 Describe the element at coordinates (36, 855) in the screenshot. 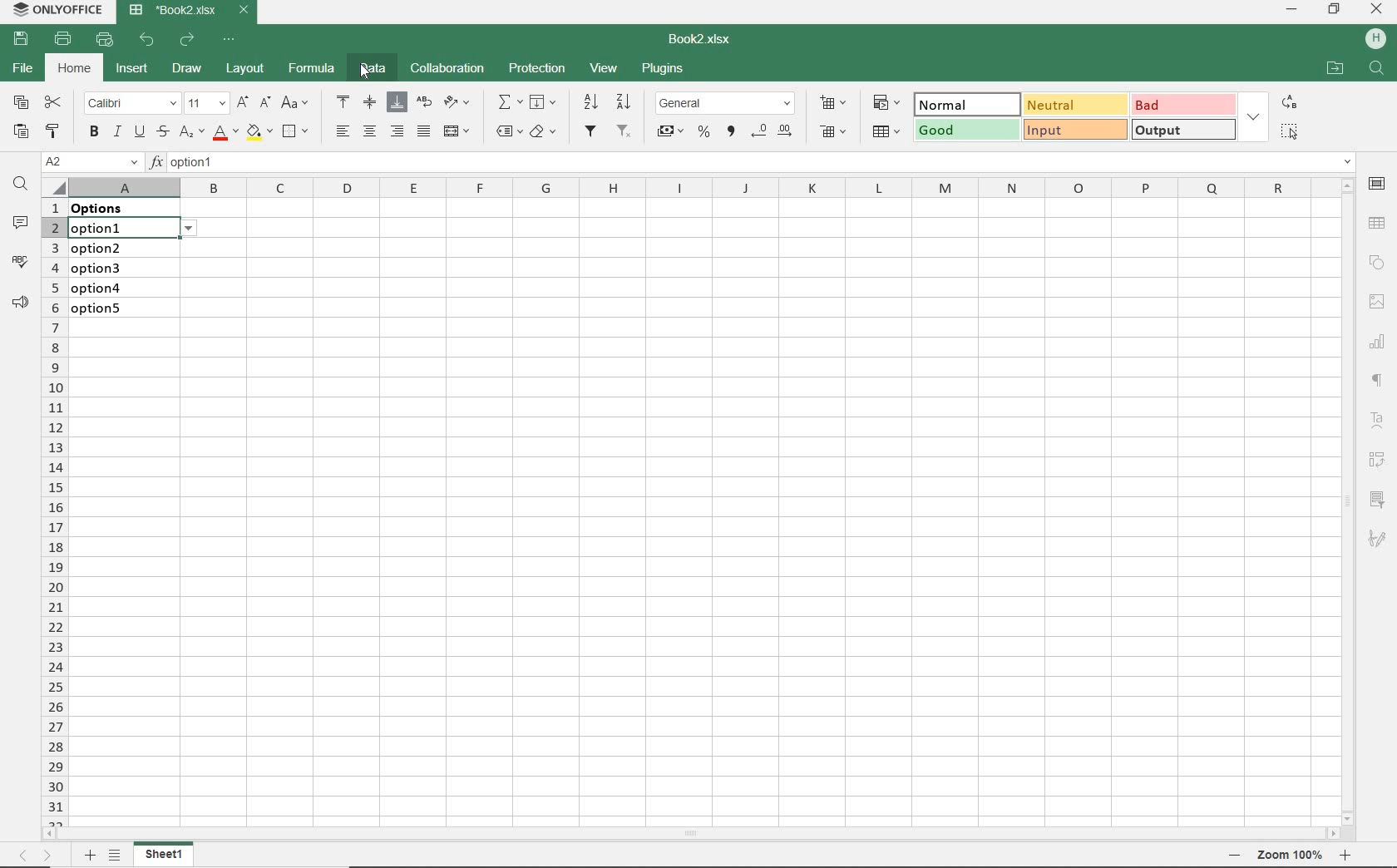

I see `MOVE ACROSS THE SHEET` at that location.